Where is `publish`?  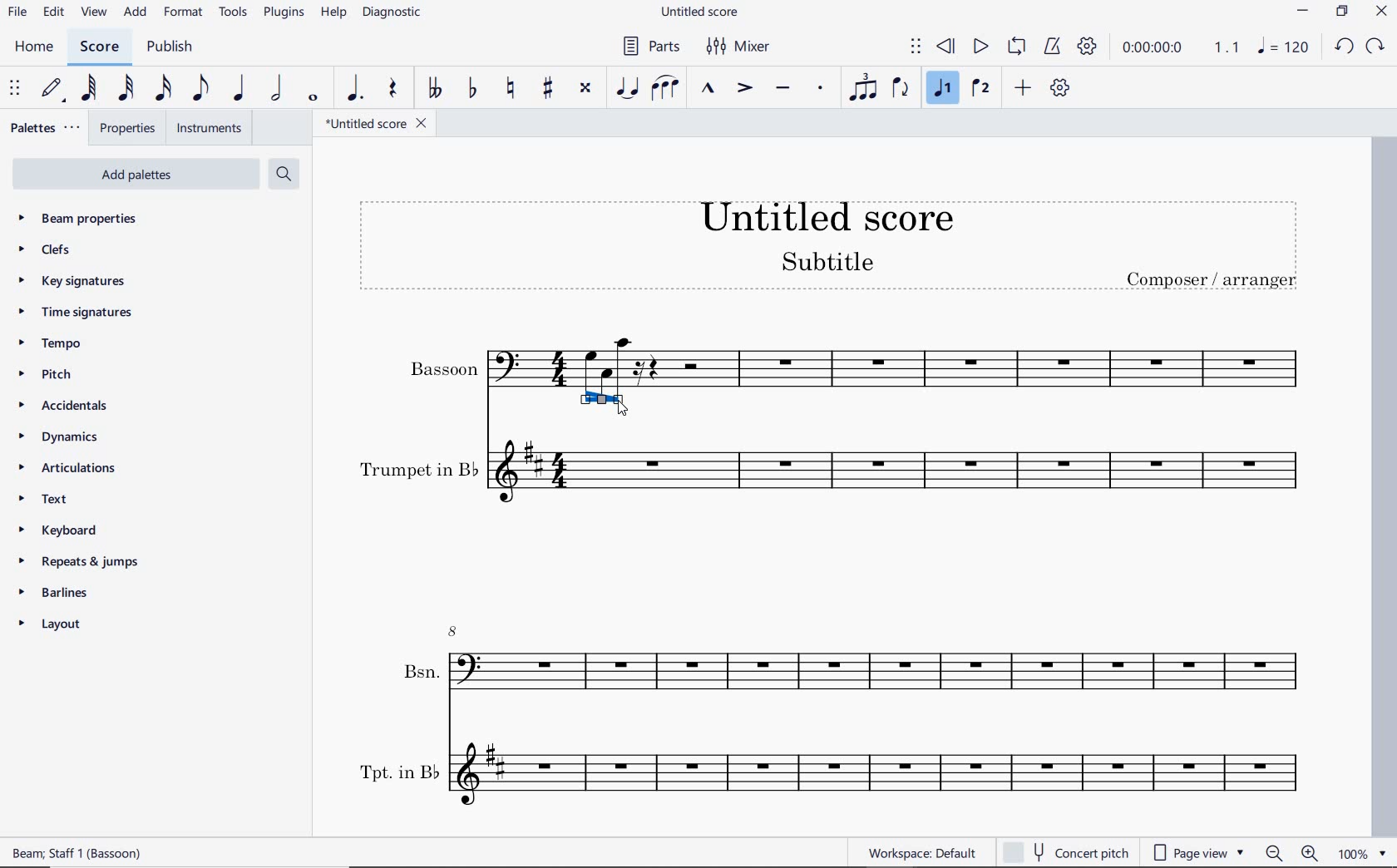 publish is located at coordinates (170, 47).